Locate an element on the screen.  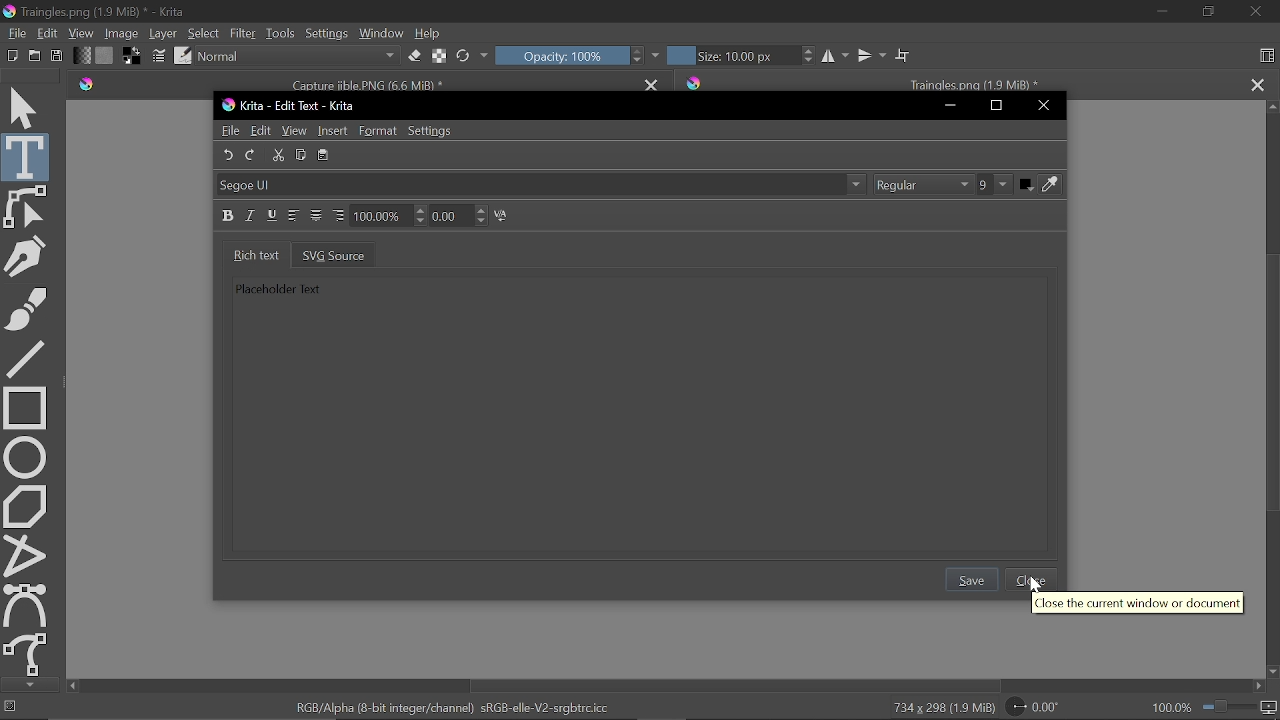
Serge UI is located at coordinates (271, 185).